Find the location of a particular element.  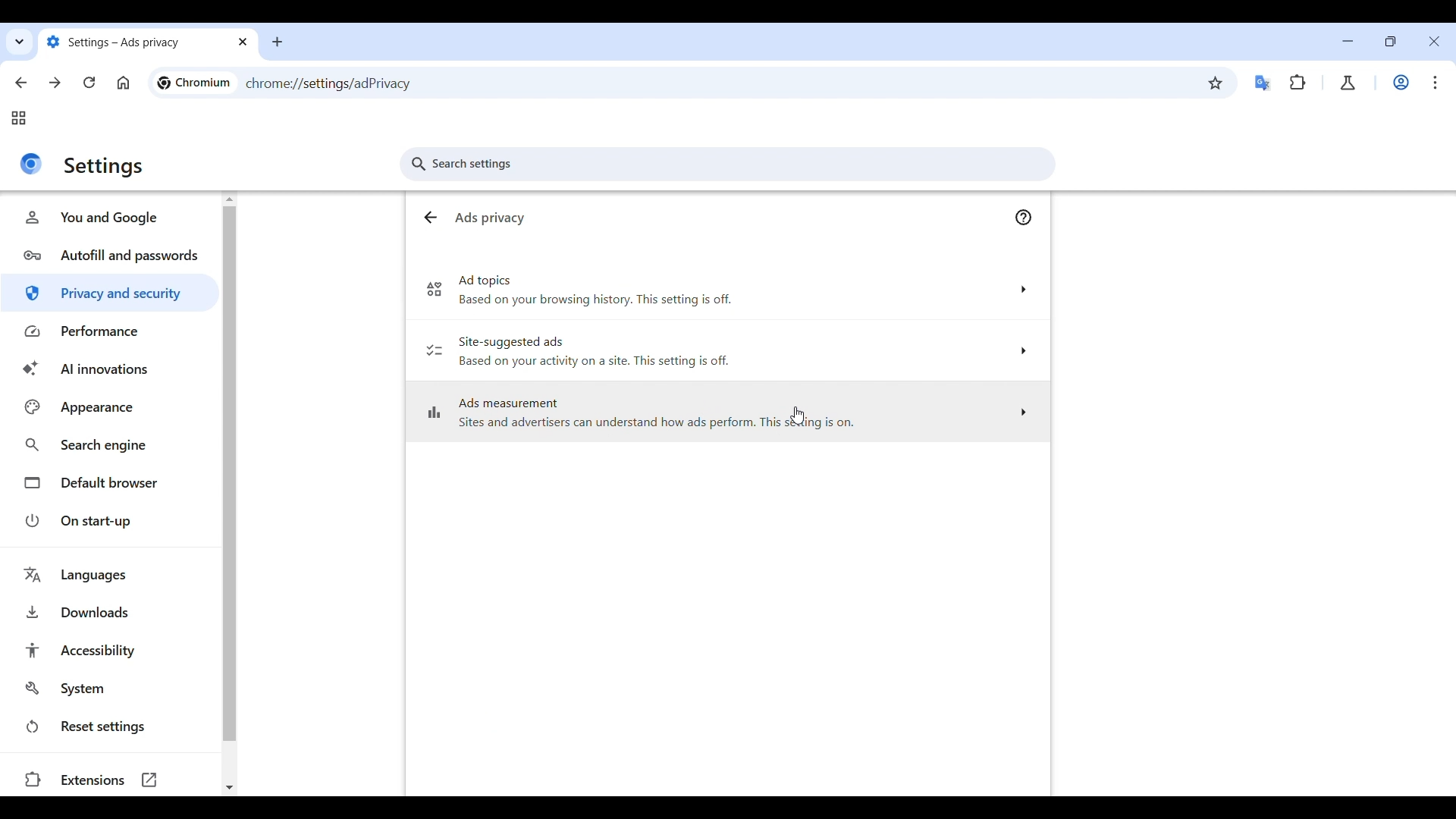

Work is located at coordinates (1401, 82).